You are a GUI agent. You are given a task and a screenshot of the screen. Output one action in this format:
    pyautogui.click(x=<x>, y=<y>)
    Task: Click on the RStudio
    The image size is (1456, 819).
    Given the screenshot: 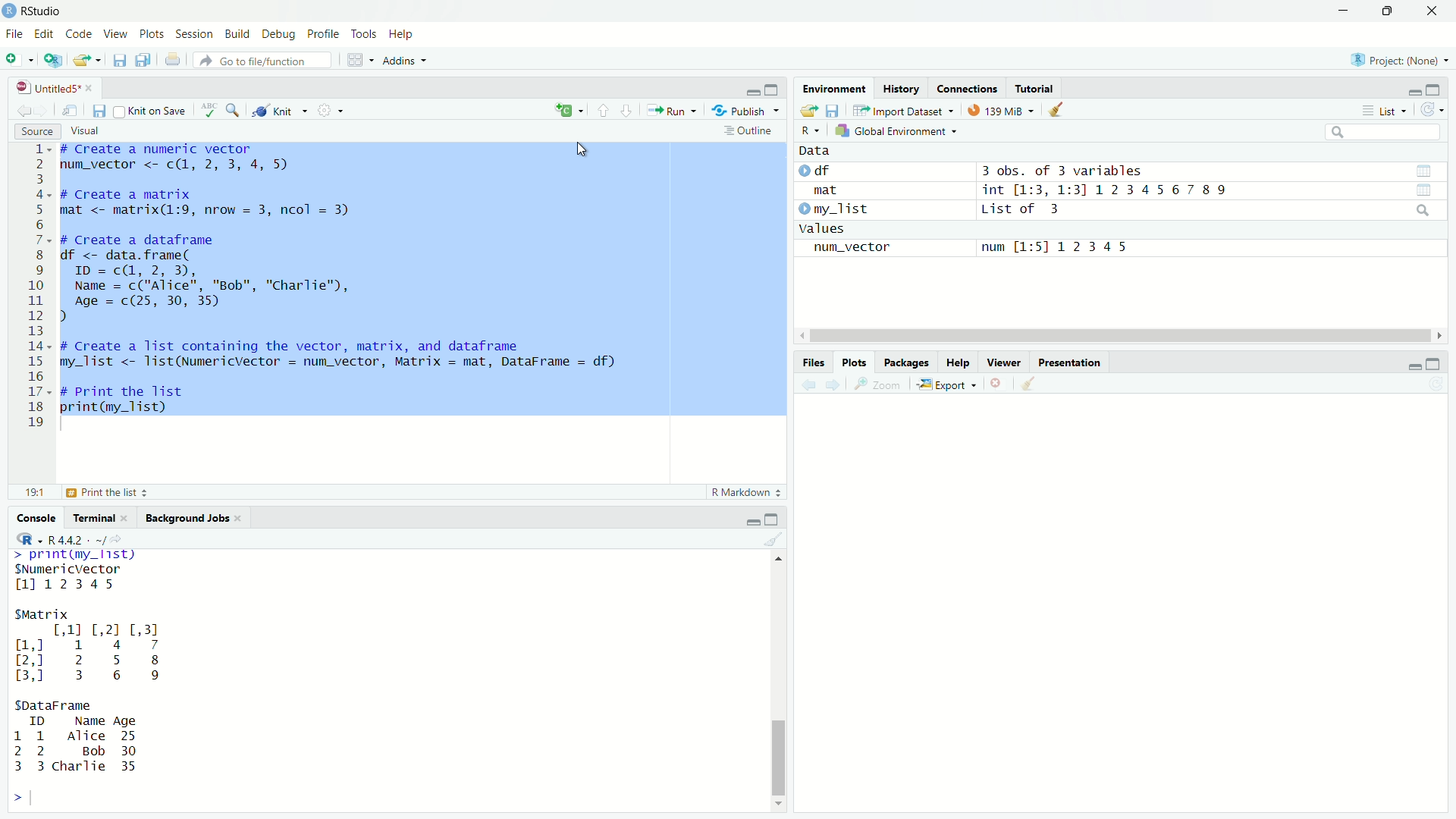 What is the action you would take?
    pyautogui.click(x=43, y=11)
    